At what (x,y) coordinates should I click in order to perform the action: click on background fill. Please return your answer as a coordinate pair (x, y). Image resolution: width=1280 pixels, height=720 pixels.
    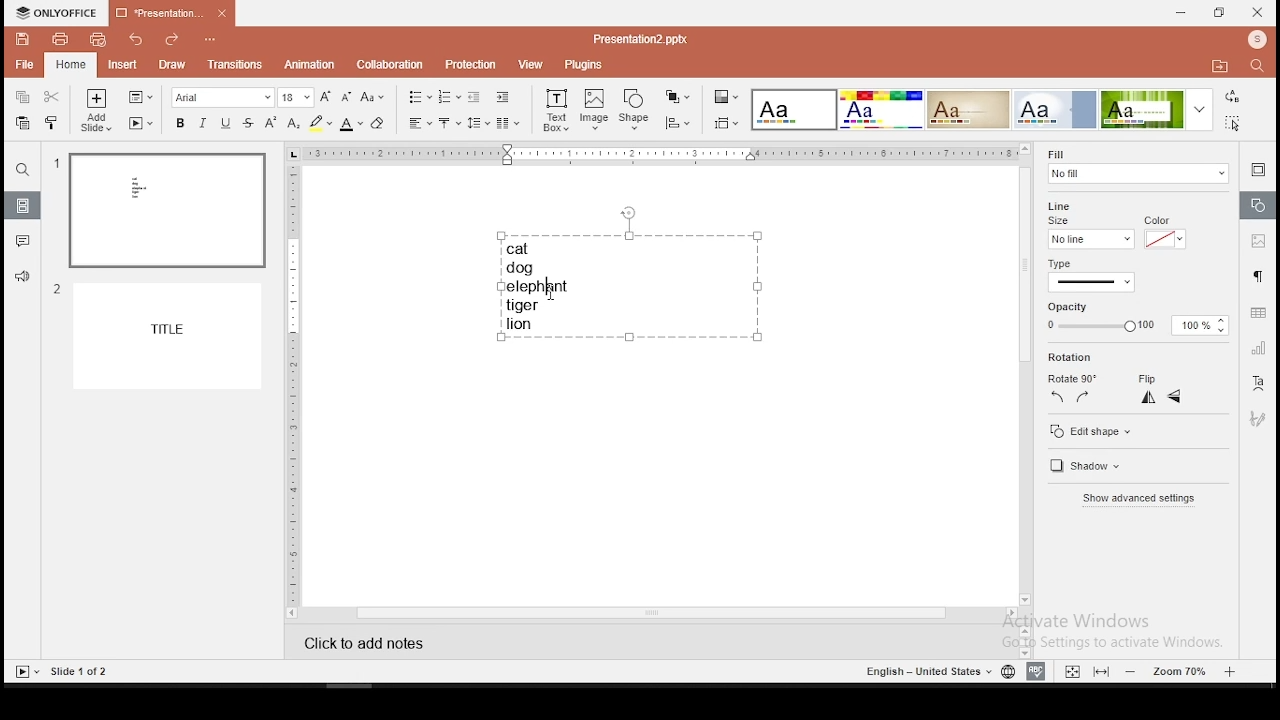
    Looking at the image, I should click on (1135, 168).